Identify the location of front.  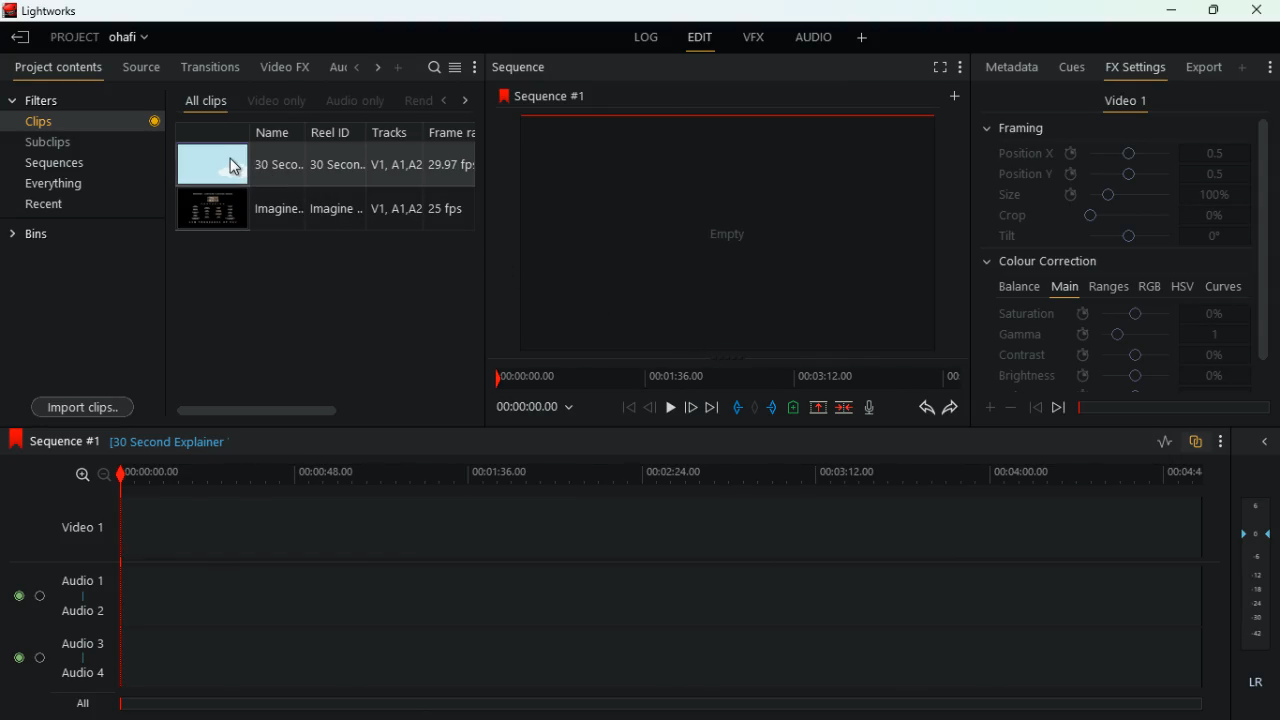
(689, 405).